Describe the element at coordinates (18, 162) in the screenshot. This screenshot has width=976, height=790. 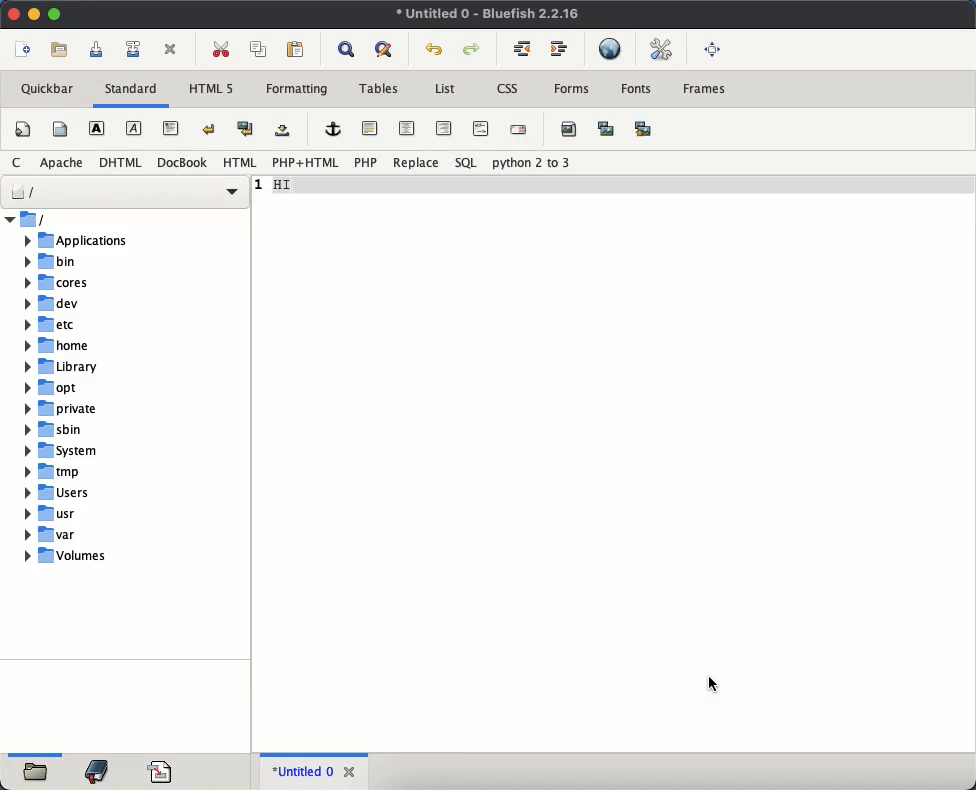
I see `c` at that location.